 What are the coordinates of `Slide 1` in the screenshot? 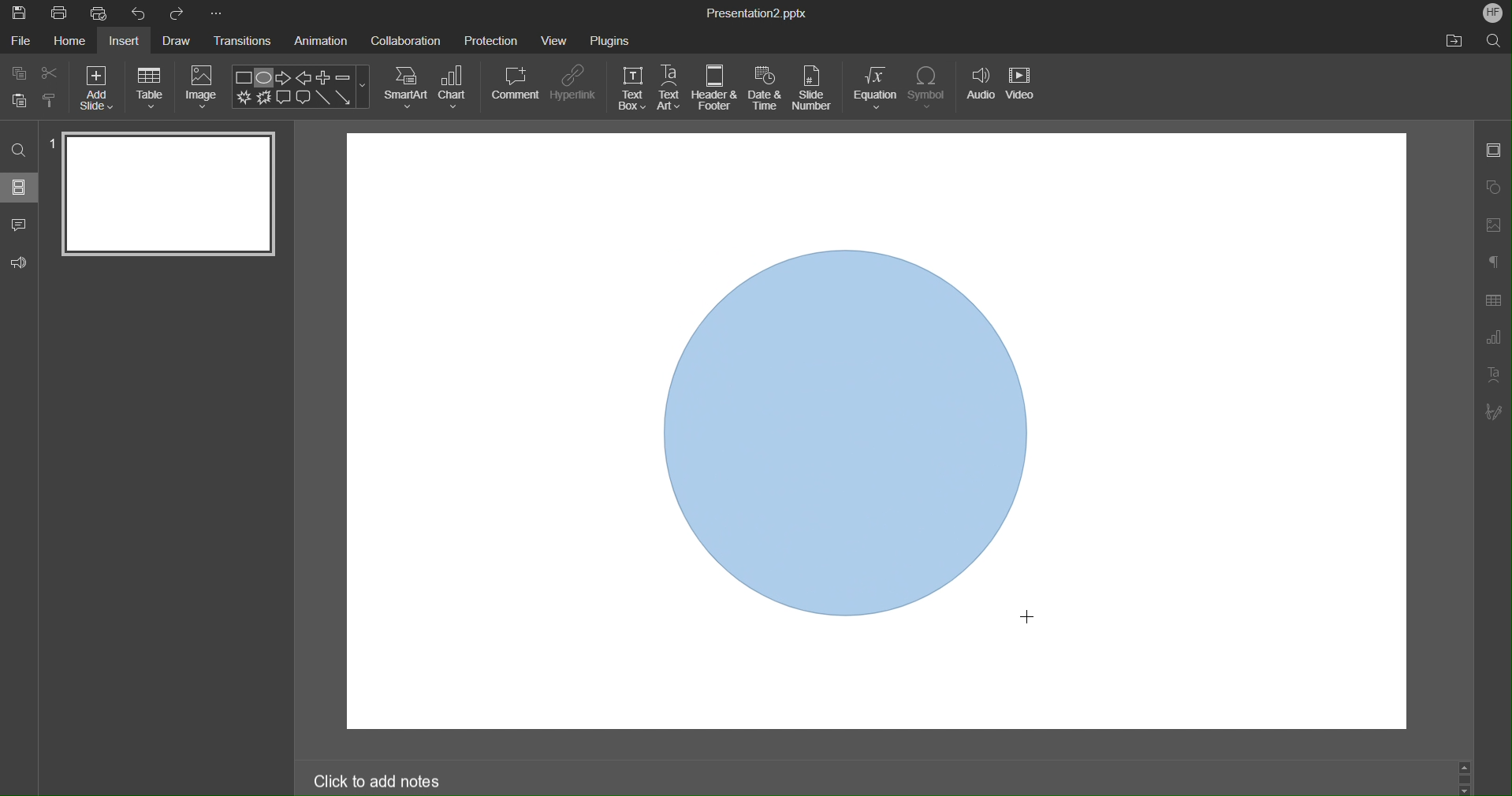 It's located at (166, 193).